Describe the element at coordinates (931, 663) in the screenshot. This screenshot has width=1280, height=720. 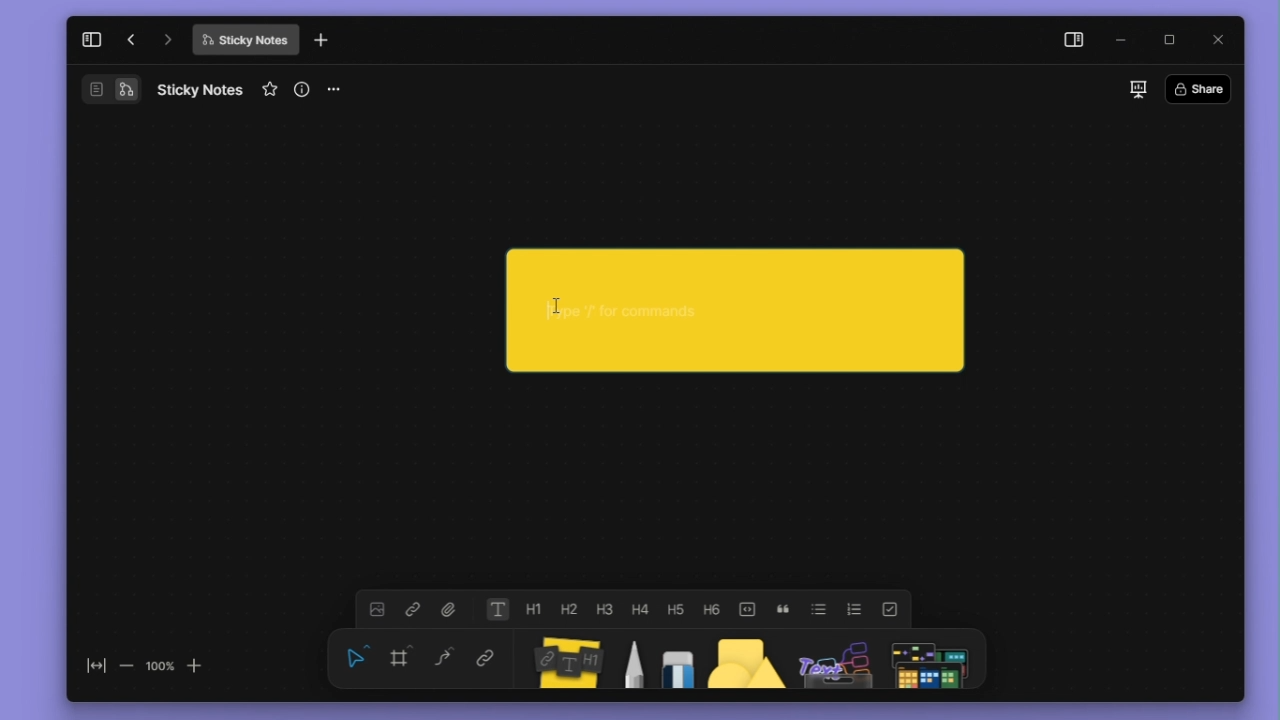
I see `Symbols Panel Icon` at that location.